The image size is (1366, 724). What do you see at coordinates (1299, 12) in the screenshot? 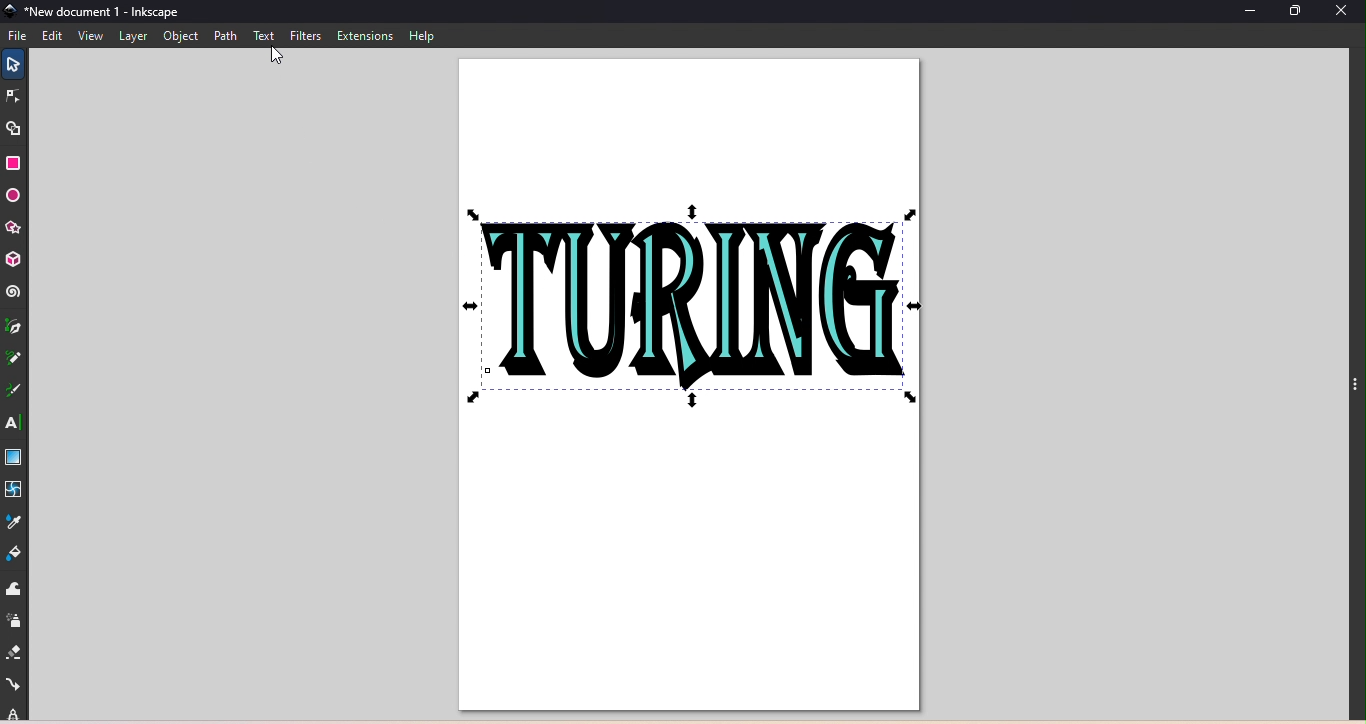
I see `Maximize` at bounding box center [1299, 12].